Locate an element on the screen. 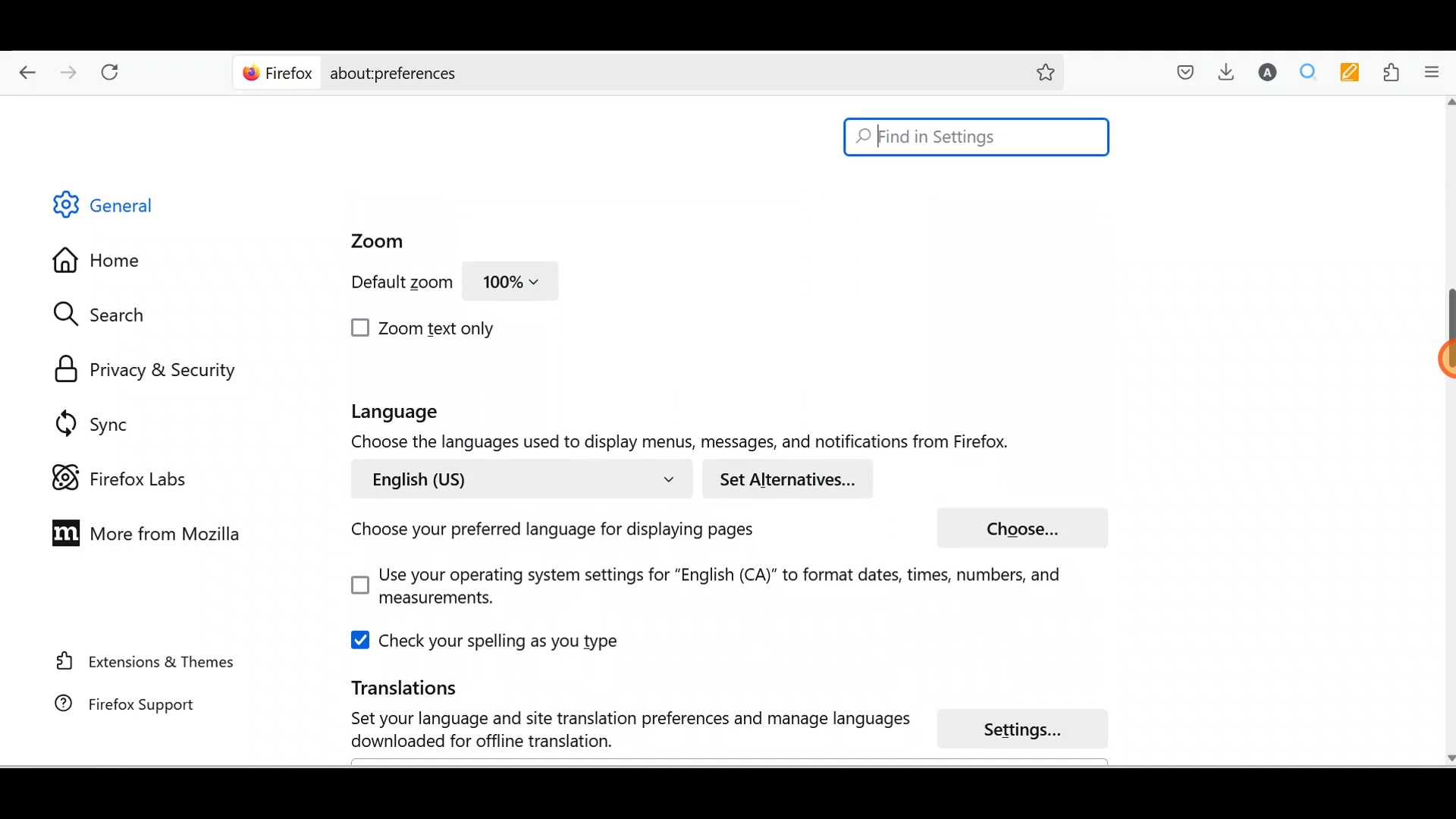 This screenshot has width=1456, height=819. Choose your preferred language for displaying pages is located at coordinates (547, 533).